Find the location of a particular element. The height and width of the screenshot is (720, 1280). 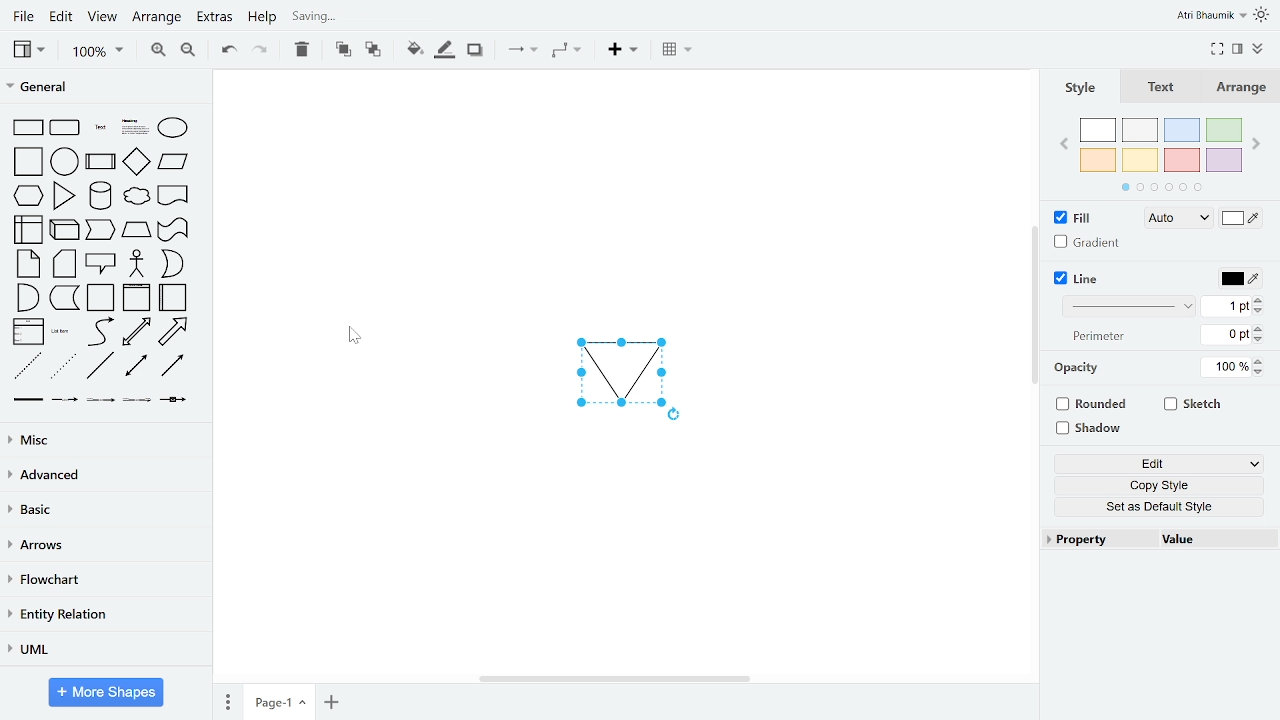

connector with symbol is located at coordinates (173, 401).